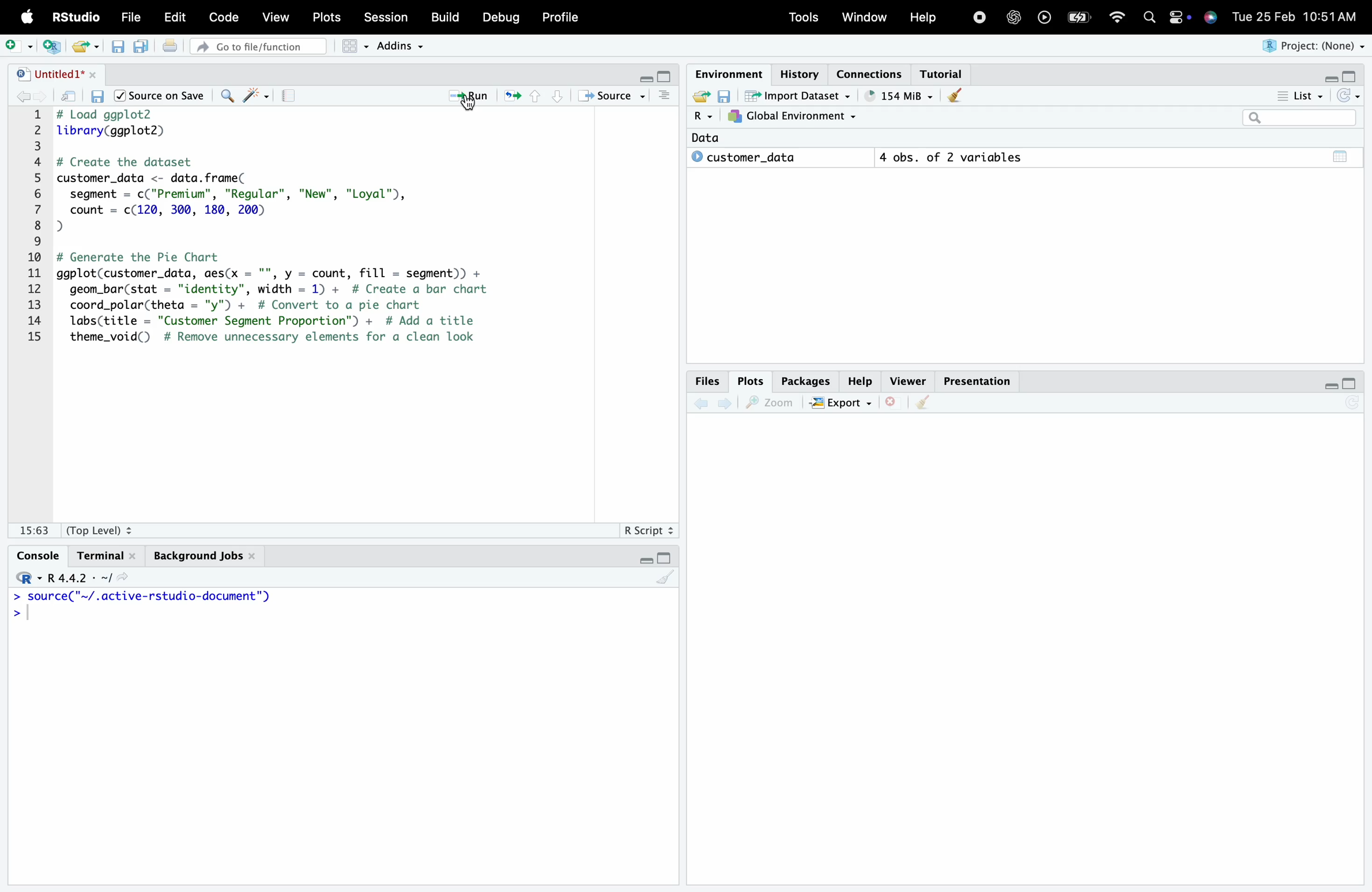 The height and width of the screenshot is (892, 1372). I want to click on History, so click(796, 68).